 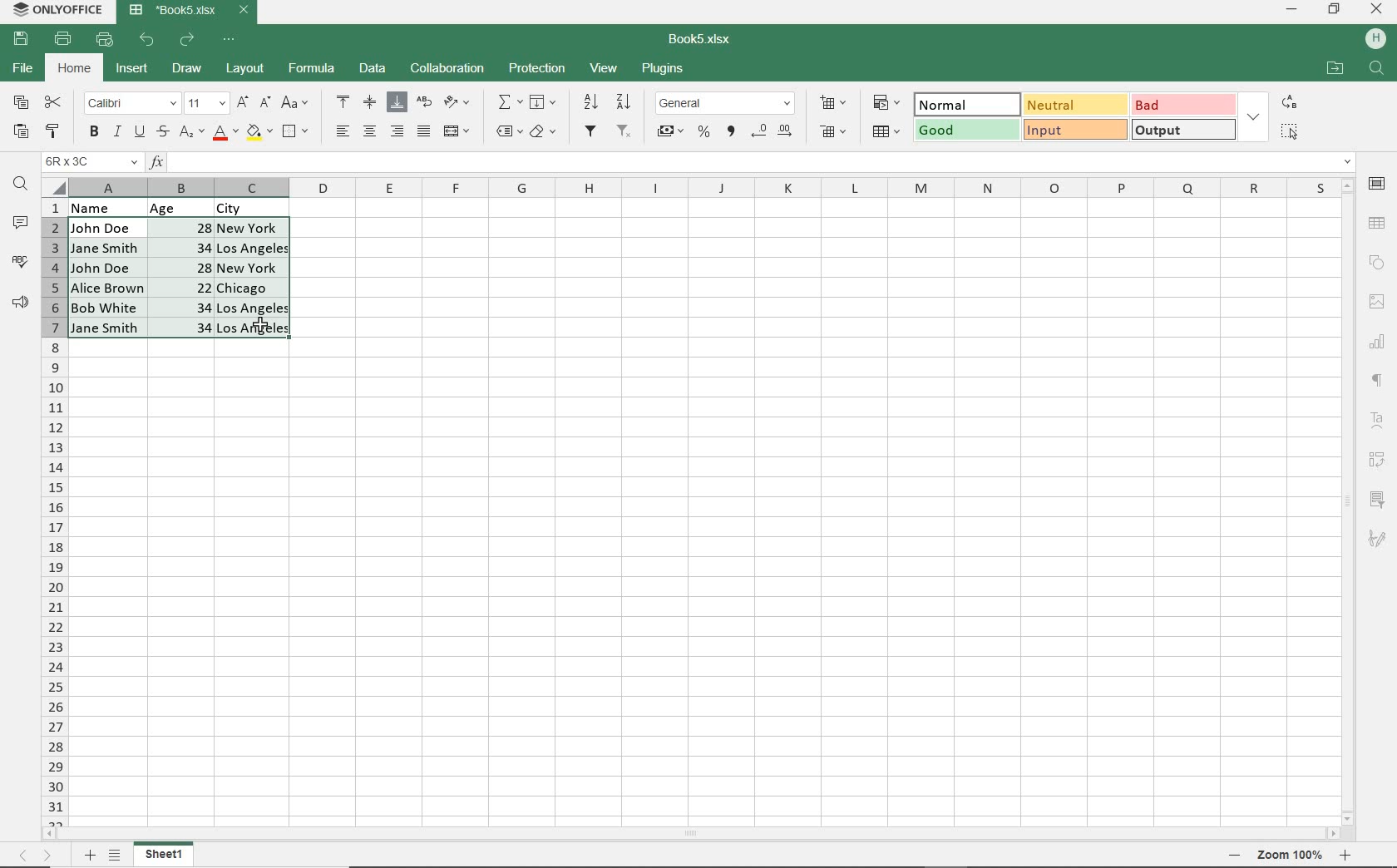 What do you see at coordinates (771, 132) in the screenshot?
I see `CHANGE DECIMAL PLACE` at bounding box center [771, 132].